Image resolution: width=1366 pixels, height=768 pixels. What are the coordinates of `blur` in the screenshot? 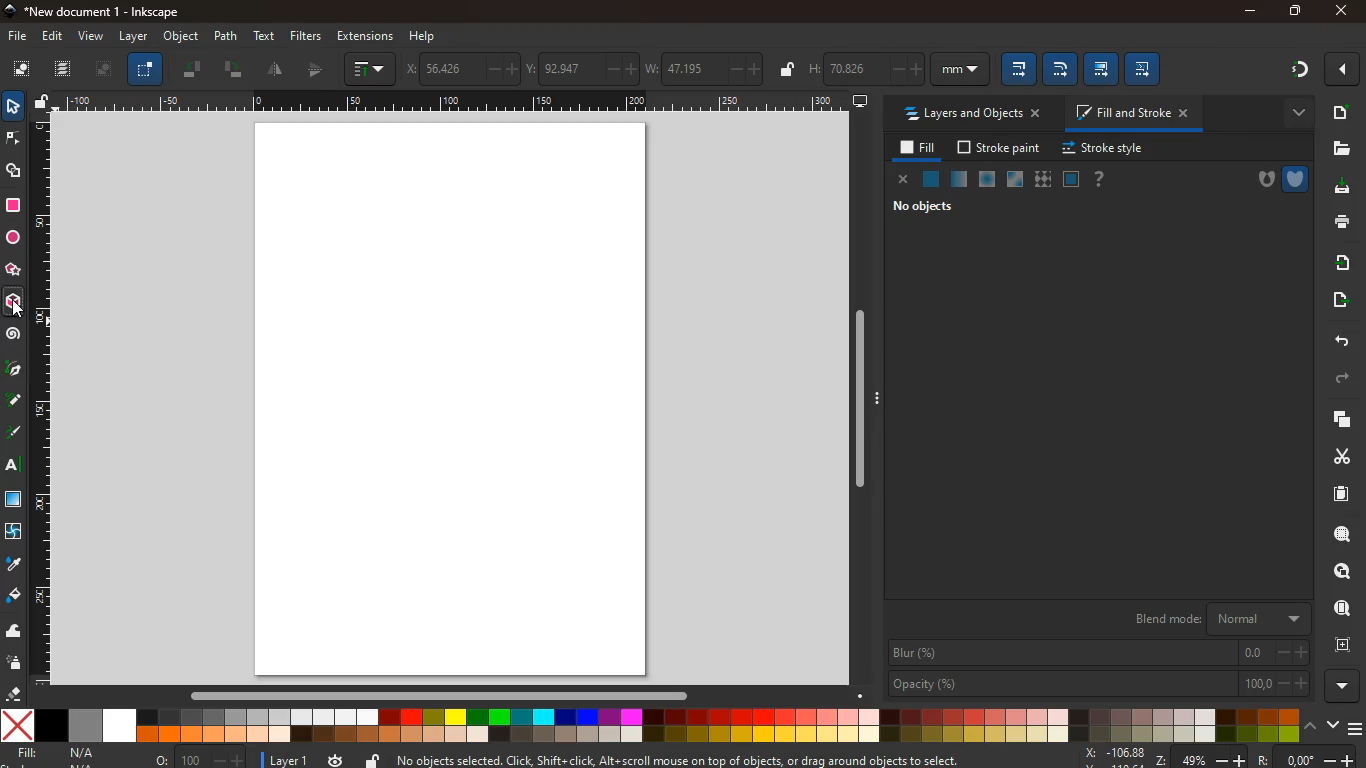 It's located at (1098, 653).